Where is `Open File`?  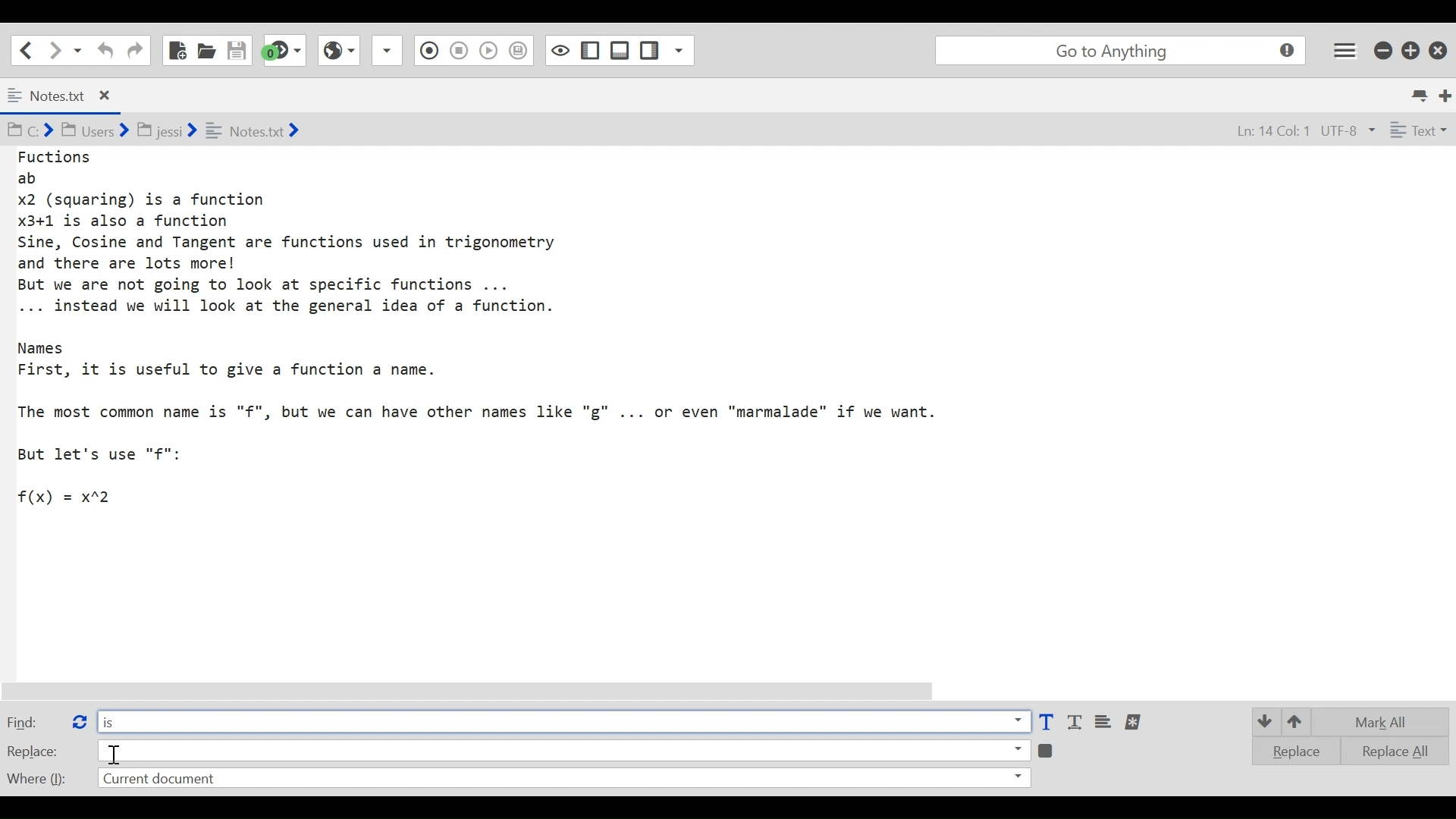 Open File is located at coordinates (206, 50).